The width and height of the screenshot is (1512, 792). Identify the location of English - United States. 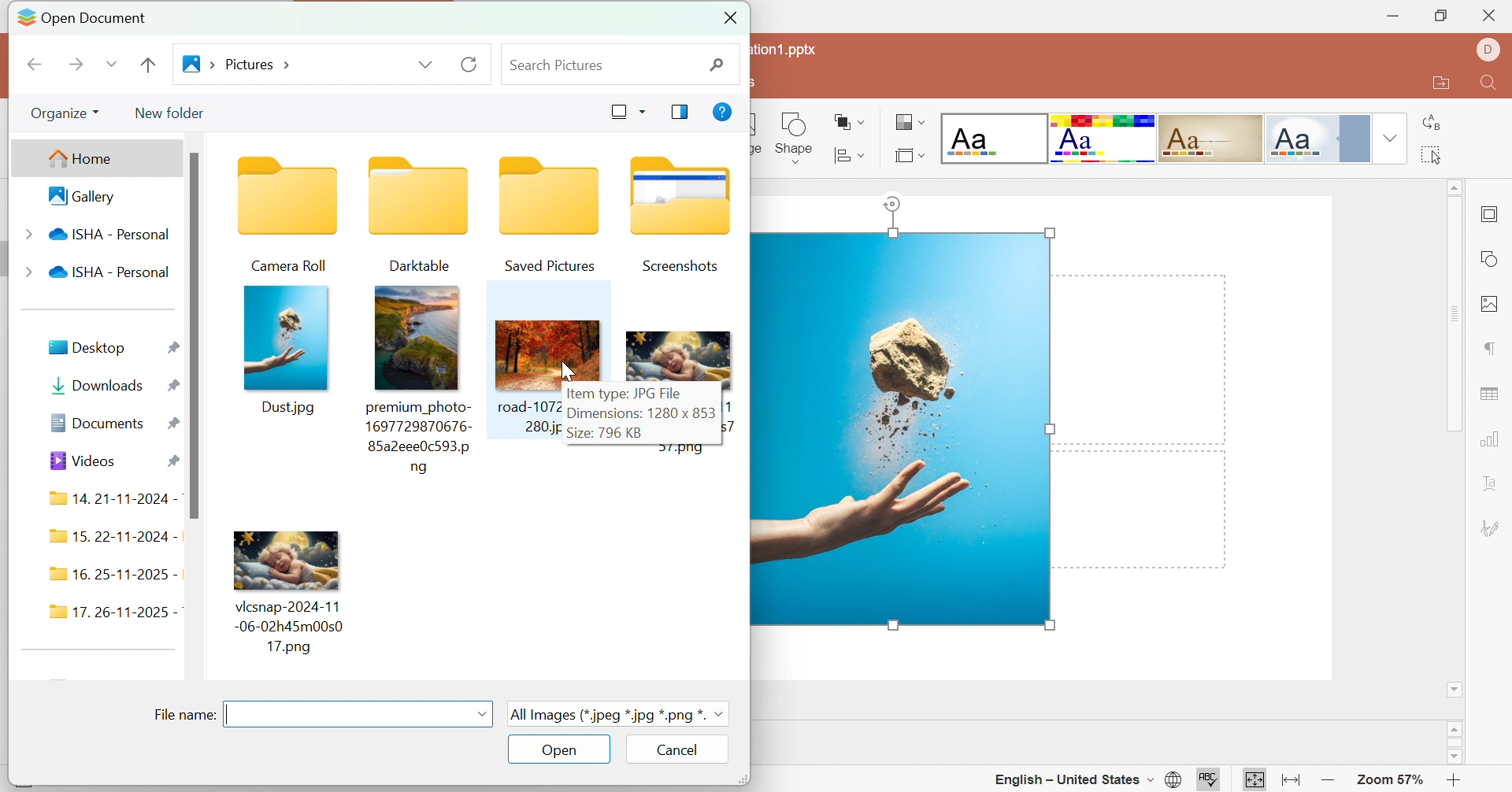
(1068, 780).